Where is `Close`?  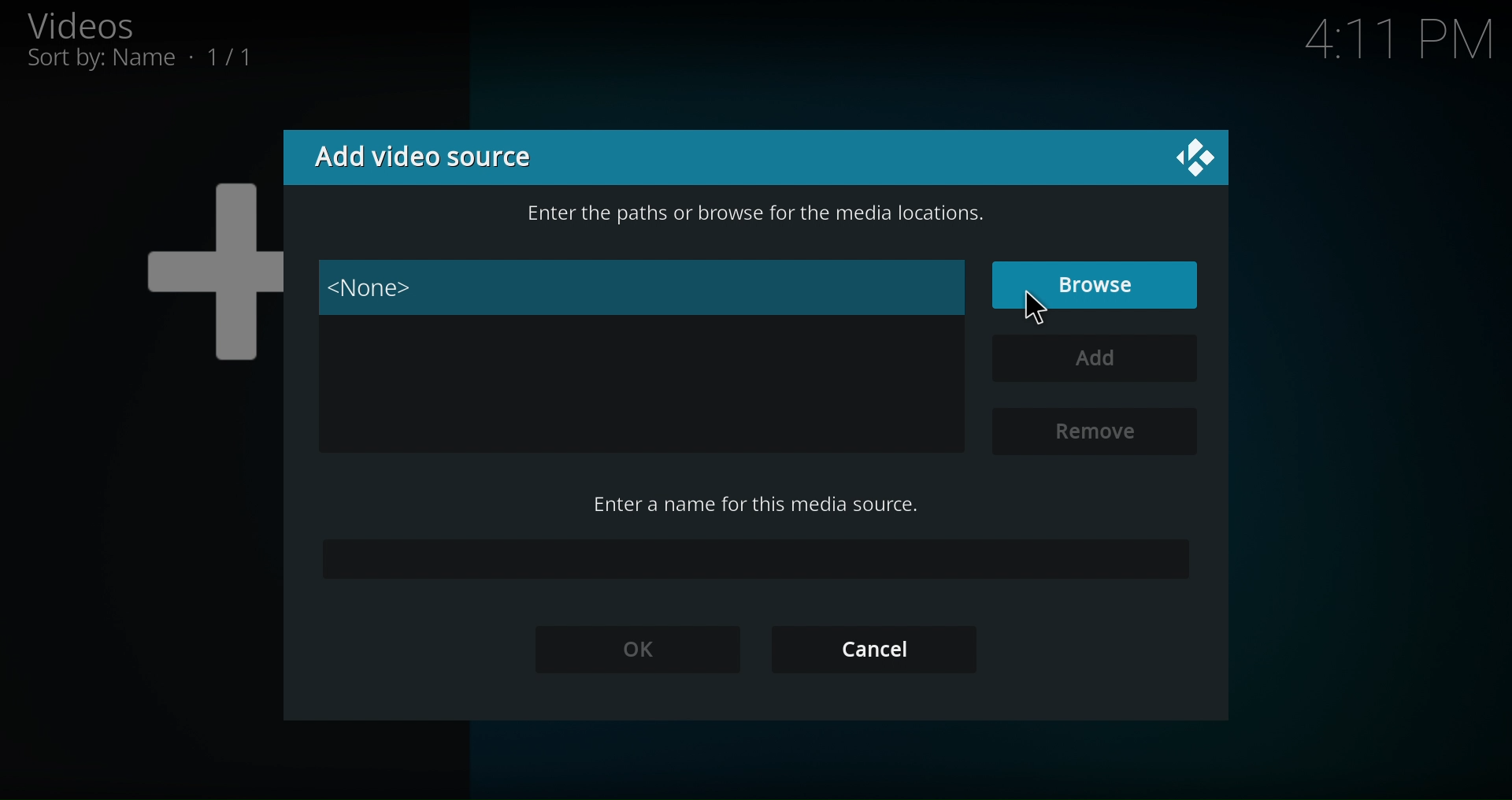 Close is located at coordinates (1192, 156).